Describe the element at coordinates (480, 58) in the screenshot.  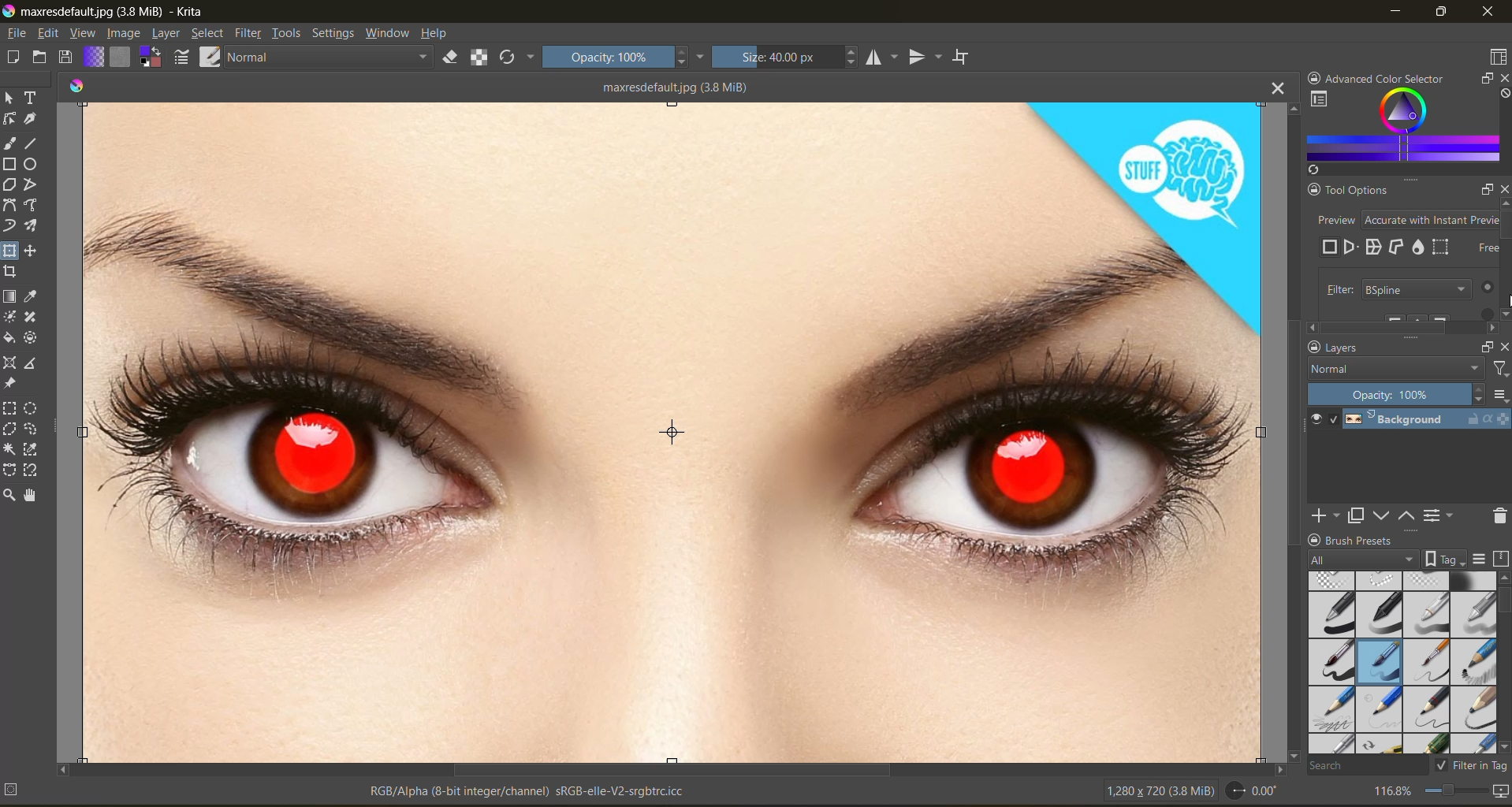
I see `preserve alpha` at that location.